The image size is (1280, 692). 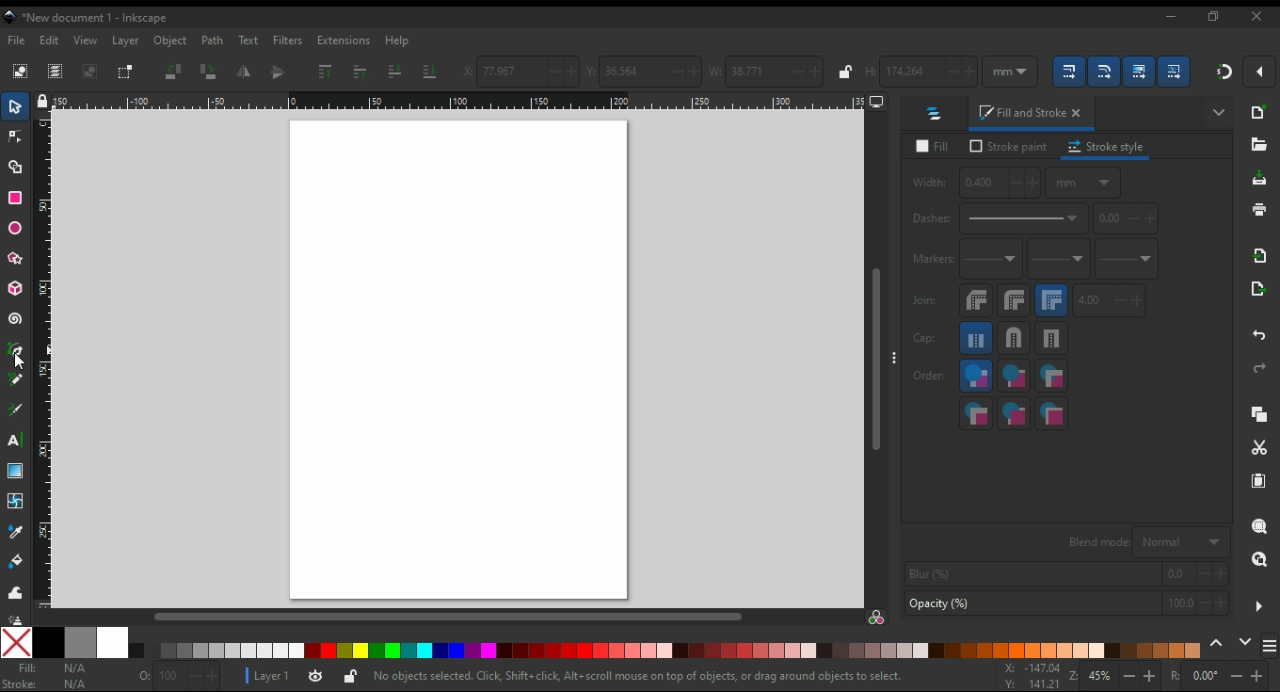 What do you see at coordinates (53, 668) in the screenshot?
I see `fill color` at bounding box center [53, 668].